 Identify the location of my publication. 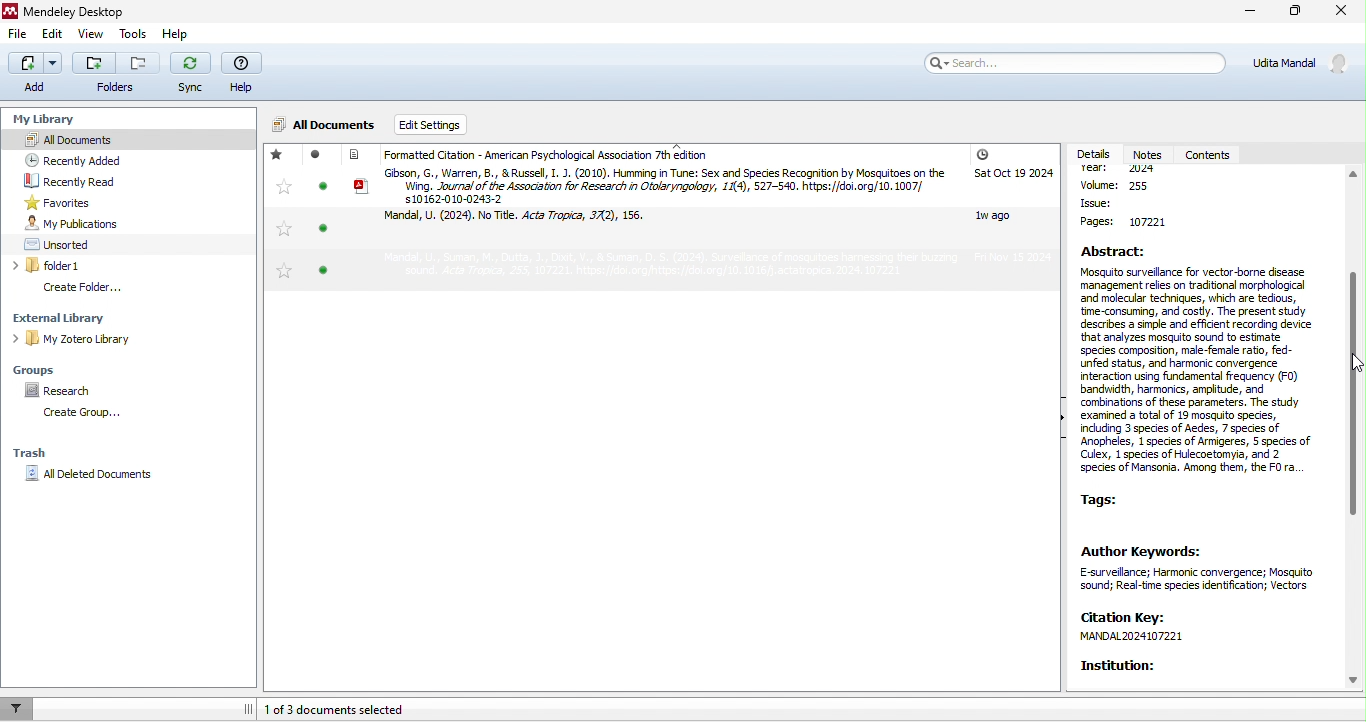
(94, 223).